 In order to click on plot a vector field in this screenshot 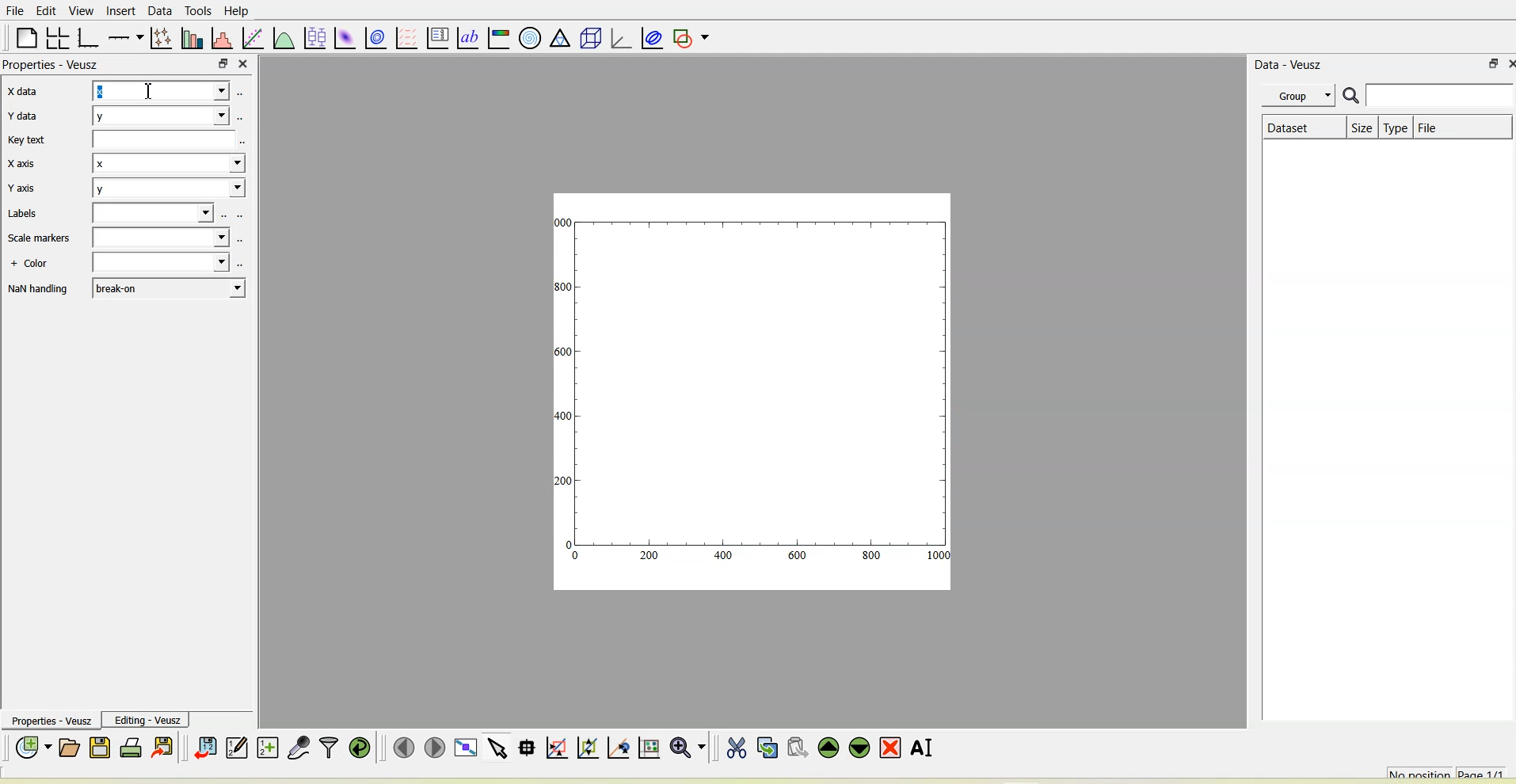, I will do `click(406, 37)`.